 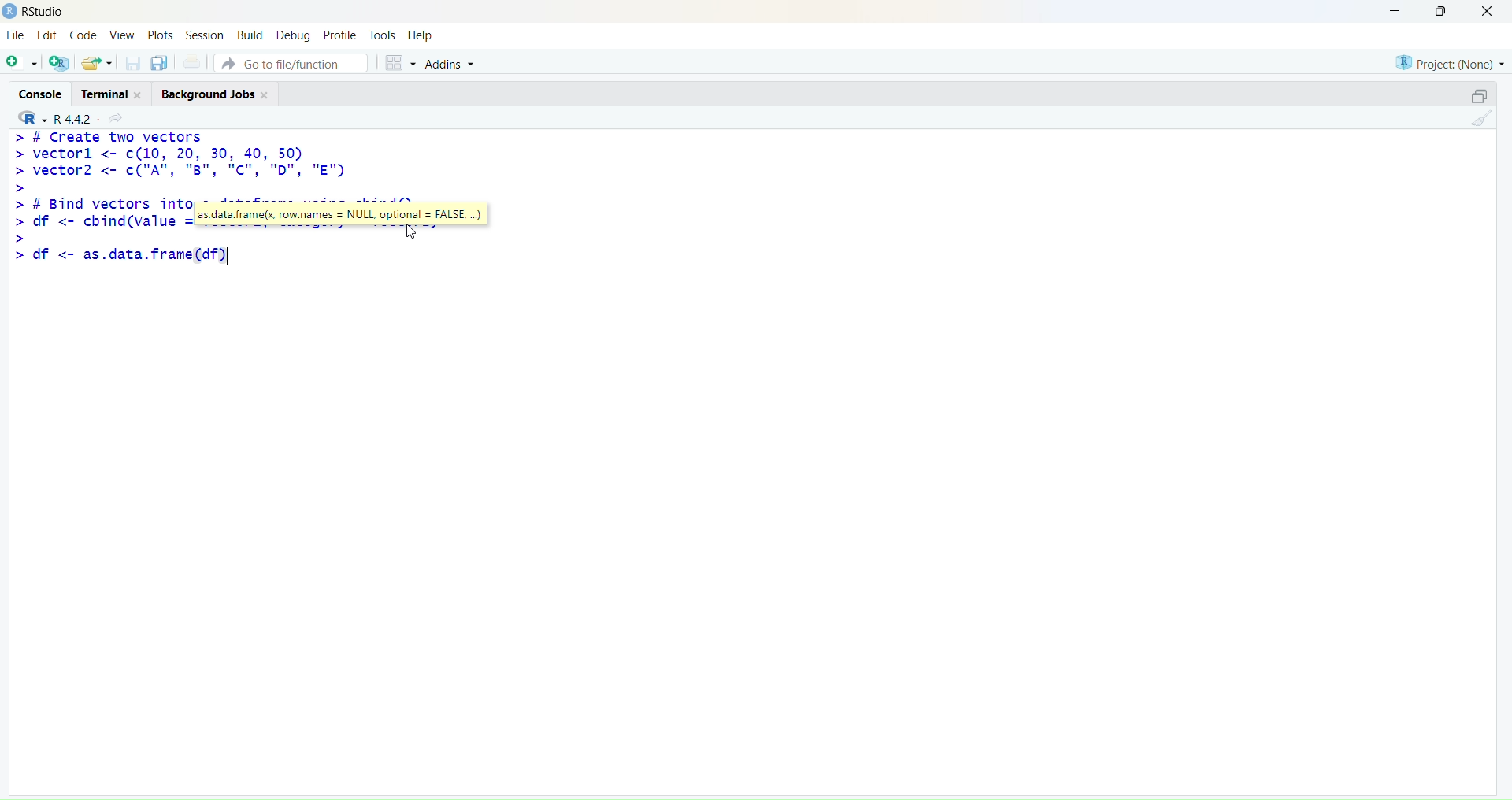 What do you see at coordinates (409, 232) in the screenshot?
I see `cursor` at bounding box center [409, 232].